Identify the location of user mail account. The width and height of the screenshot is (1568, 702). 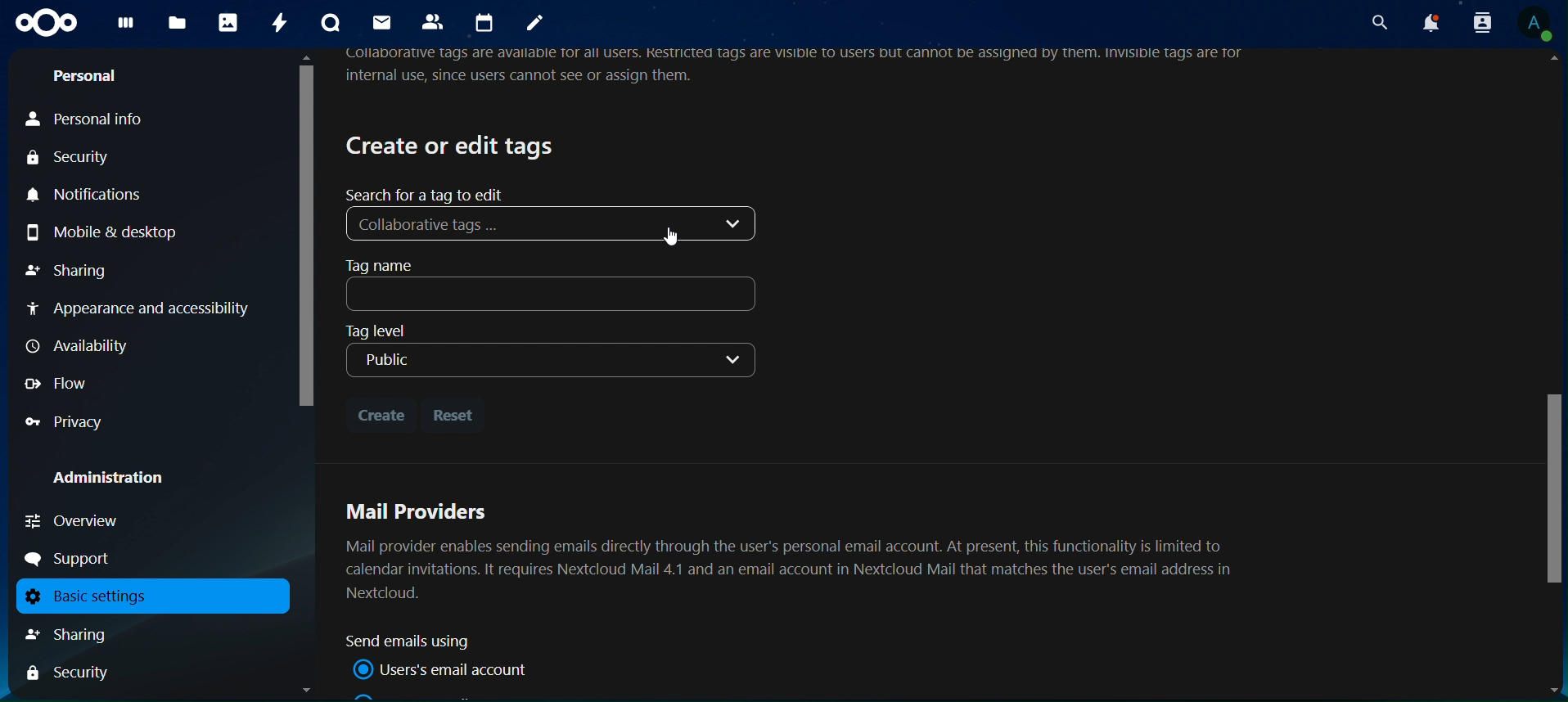
(445, 669).